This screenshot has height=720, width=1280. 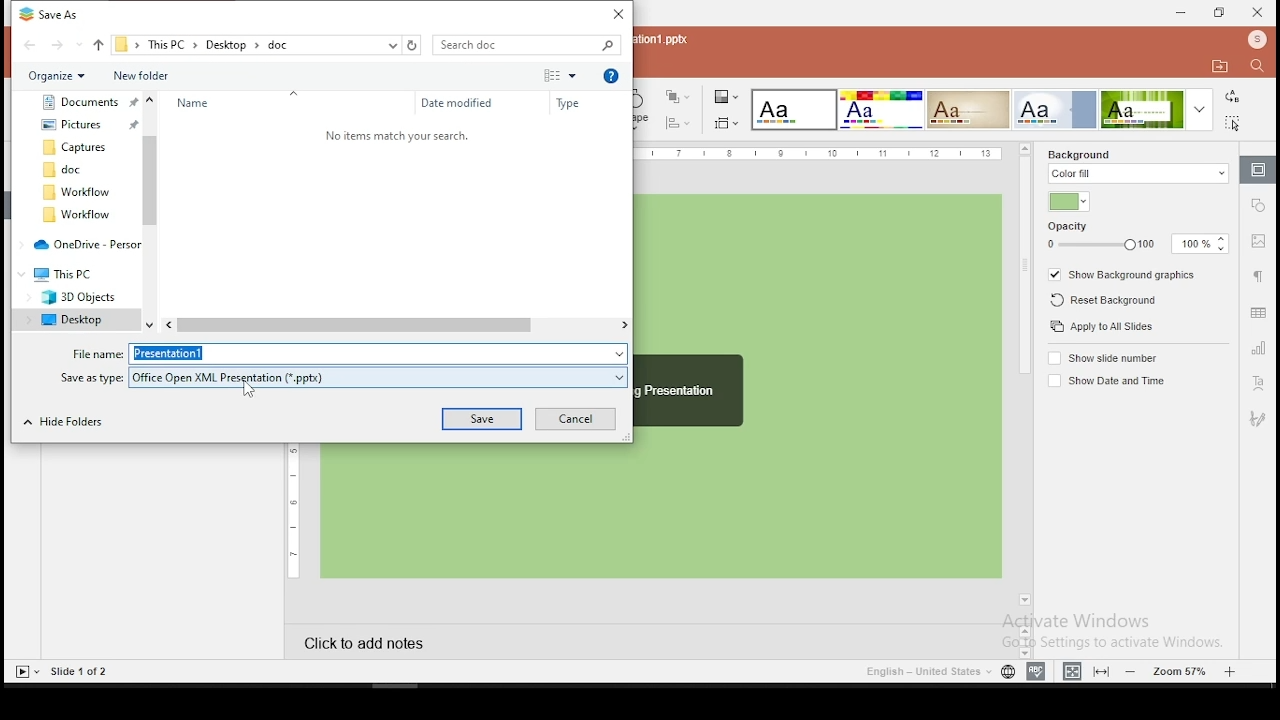 What do you see at coordinates (1258, 40) in the screenshot?
I see `profile` at bounding box center [1258, 40].